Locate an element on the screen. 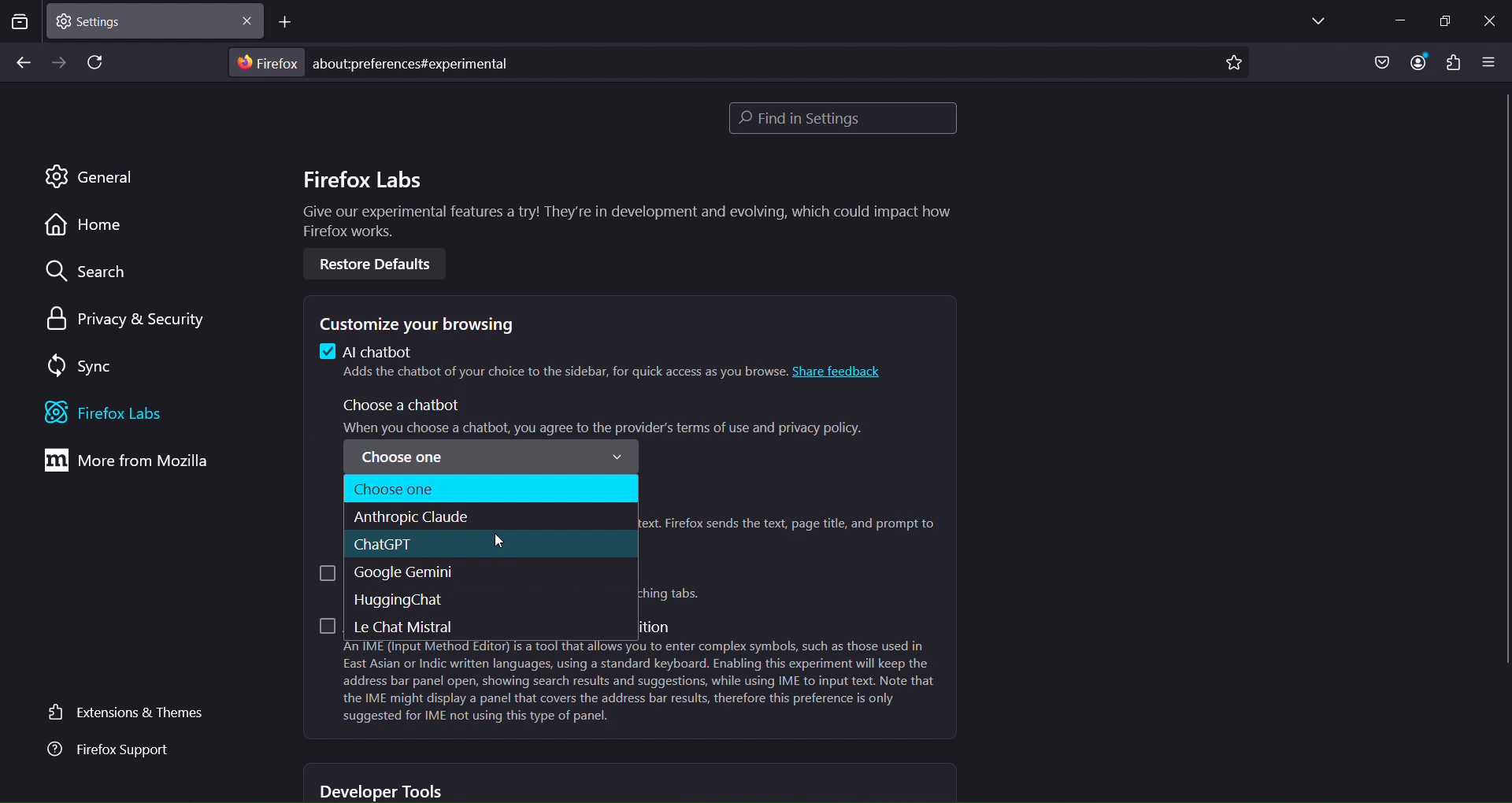 This screenshot has height=803, width=1512. close is located at coordinates (246, 24).